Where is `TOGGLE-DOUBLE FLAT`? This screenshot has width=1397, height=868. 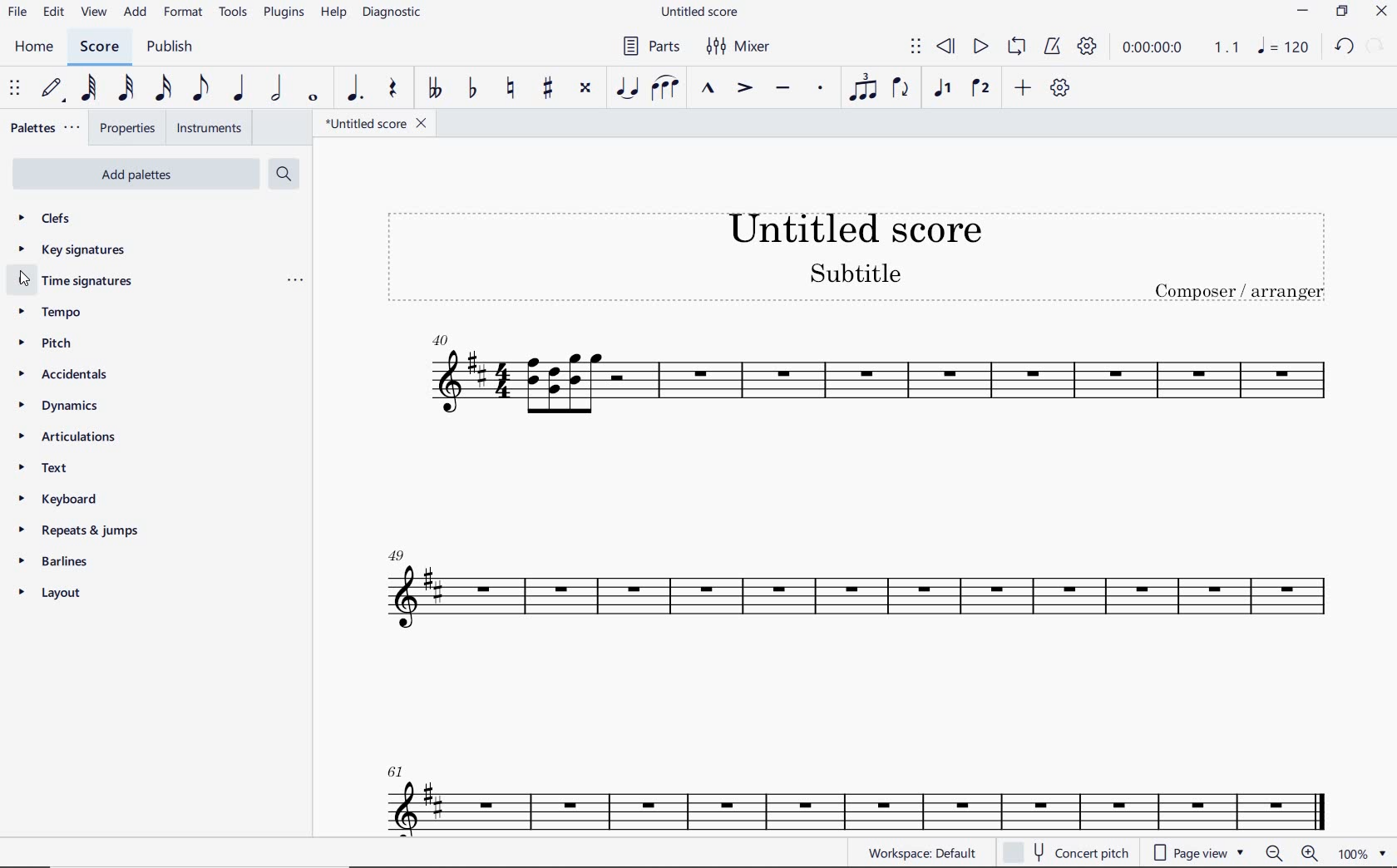 TOGGLE-DOUBLE FLAT is located at coordinates (434, 89).